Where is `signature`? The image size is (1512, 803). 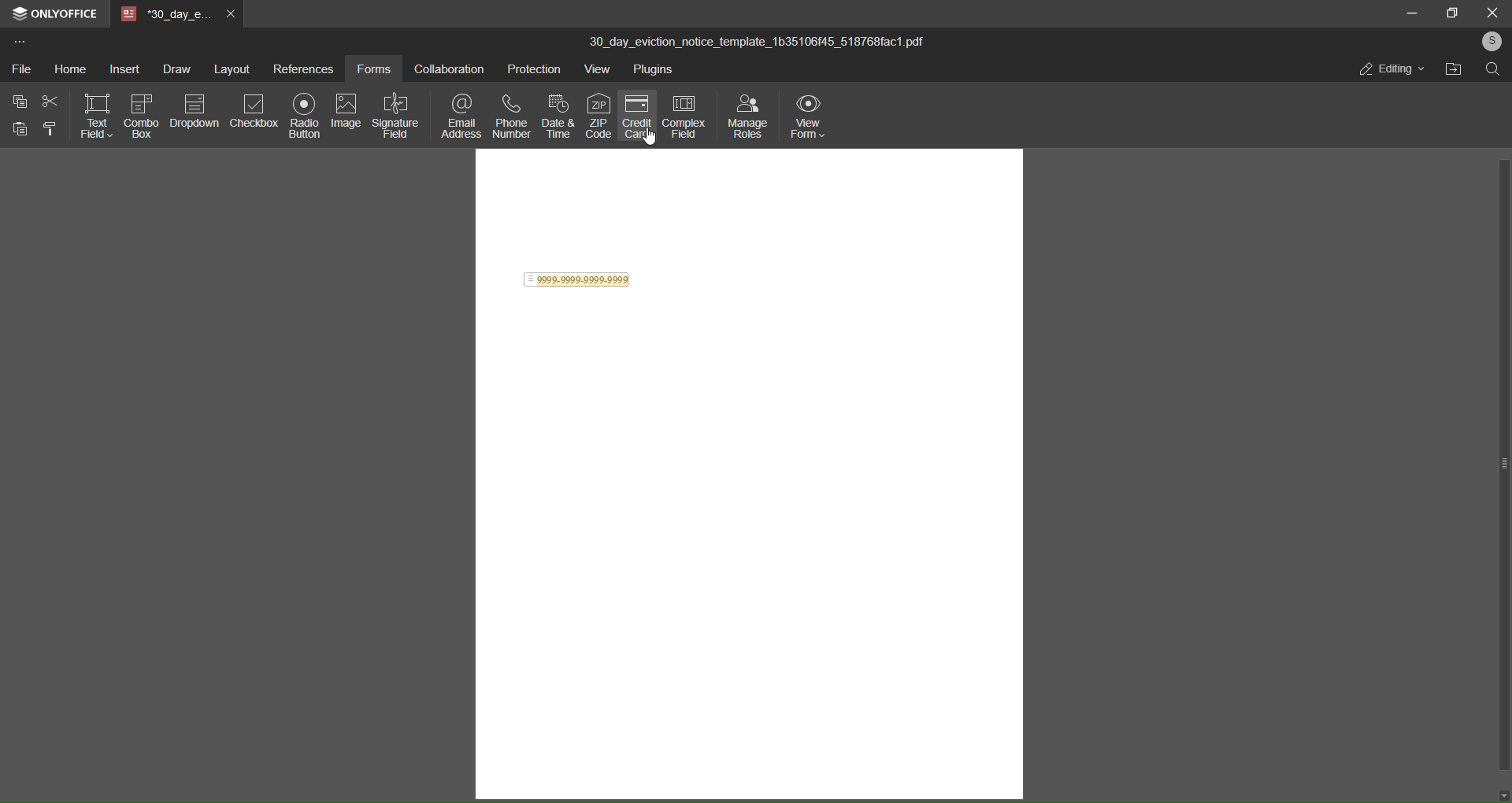
signature is located at coordinates (395, 116).